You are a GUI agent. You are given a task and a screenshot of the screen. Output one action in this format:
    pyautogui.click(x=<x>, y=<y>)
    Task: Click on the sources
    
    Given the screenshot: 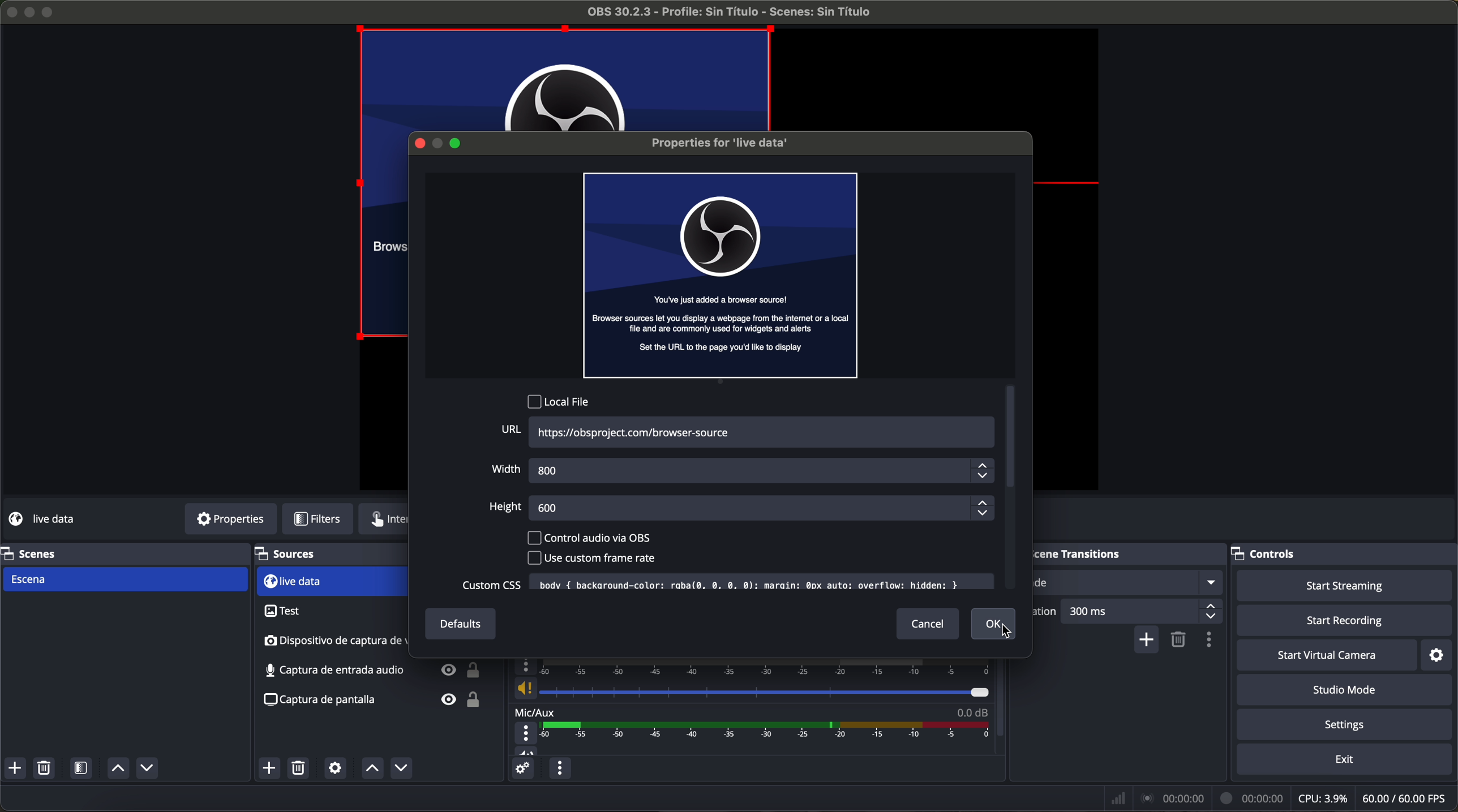 What is the action you would take?
    pyautogui.click(x=294, y=553)
    